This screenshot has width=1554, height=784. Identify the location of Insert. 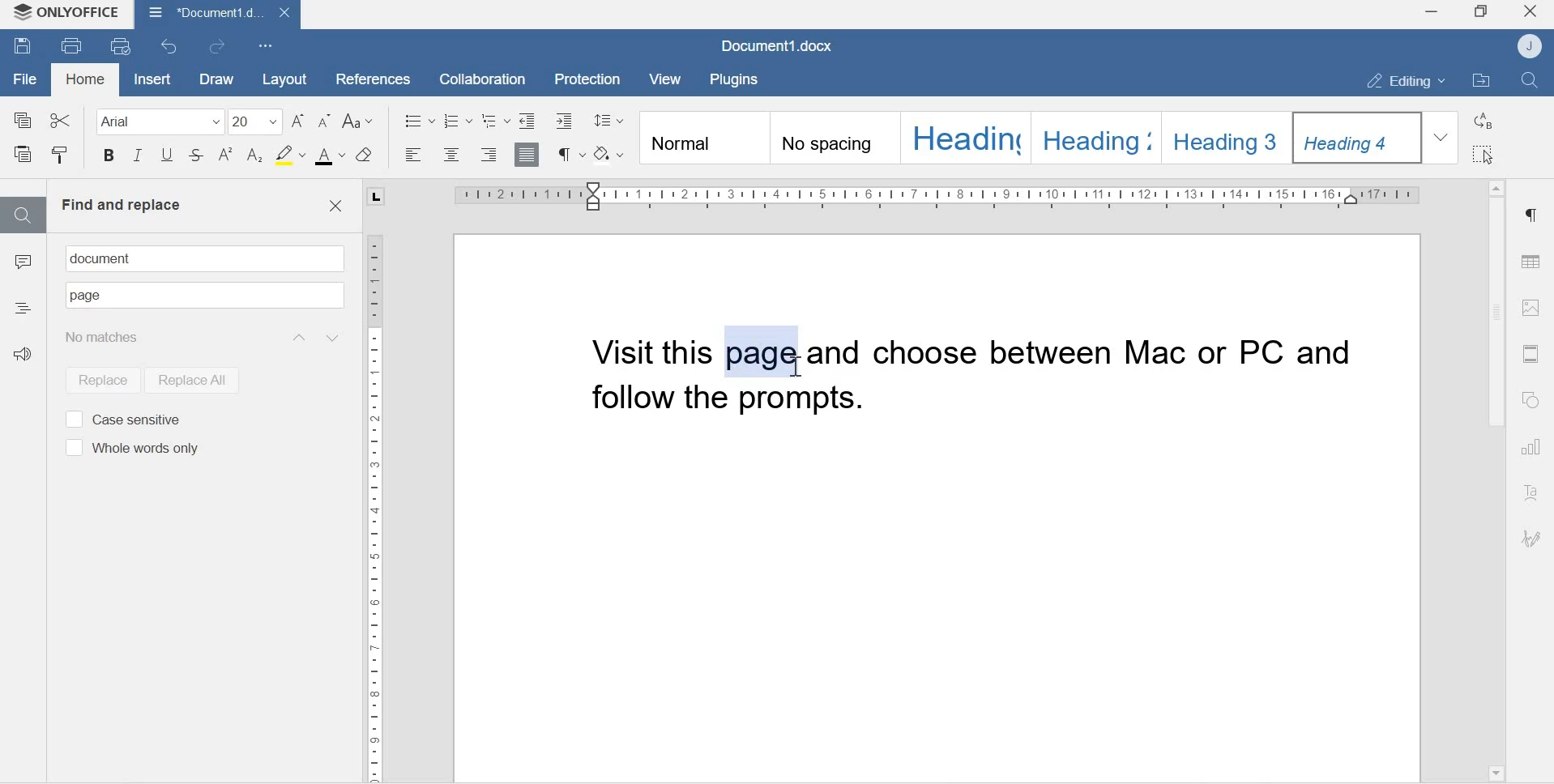
(150, 79).